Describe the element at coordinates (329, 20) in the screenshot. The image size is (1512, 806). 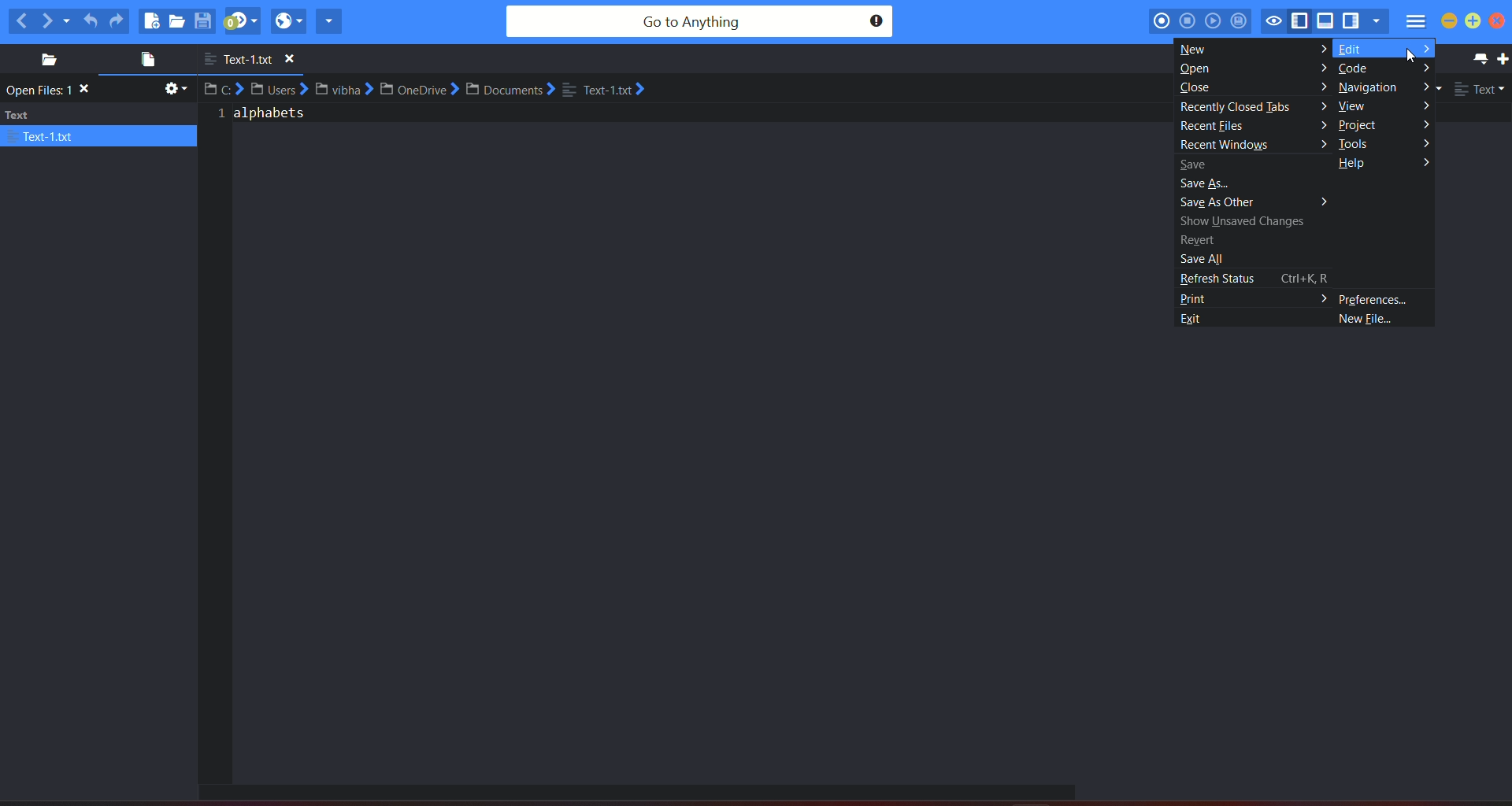
I see `share current file` at that location.